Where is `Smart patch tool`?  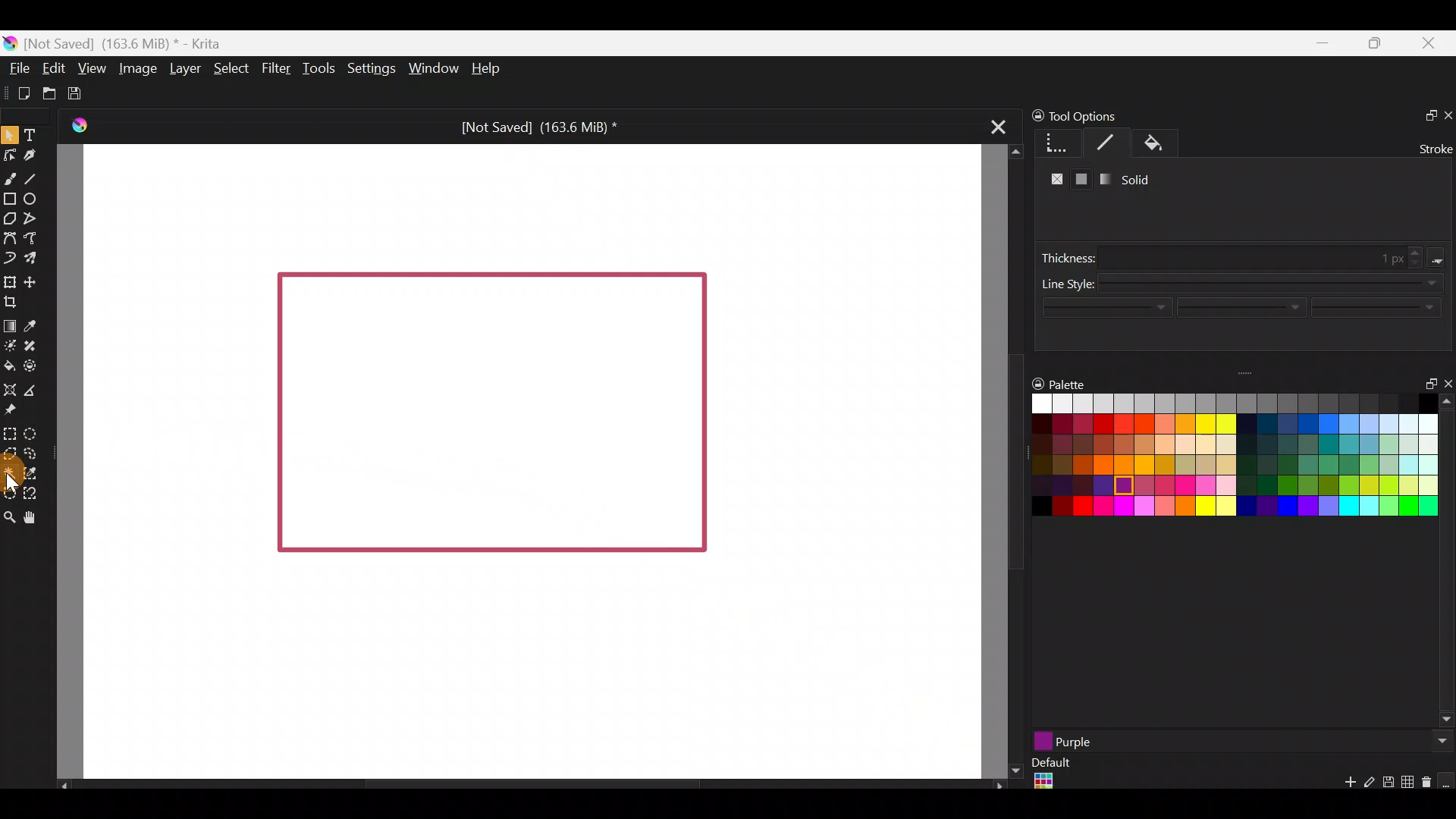
Smart patch tool is located at coordinates (36, 344).